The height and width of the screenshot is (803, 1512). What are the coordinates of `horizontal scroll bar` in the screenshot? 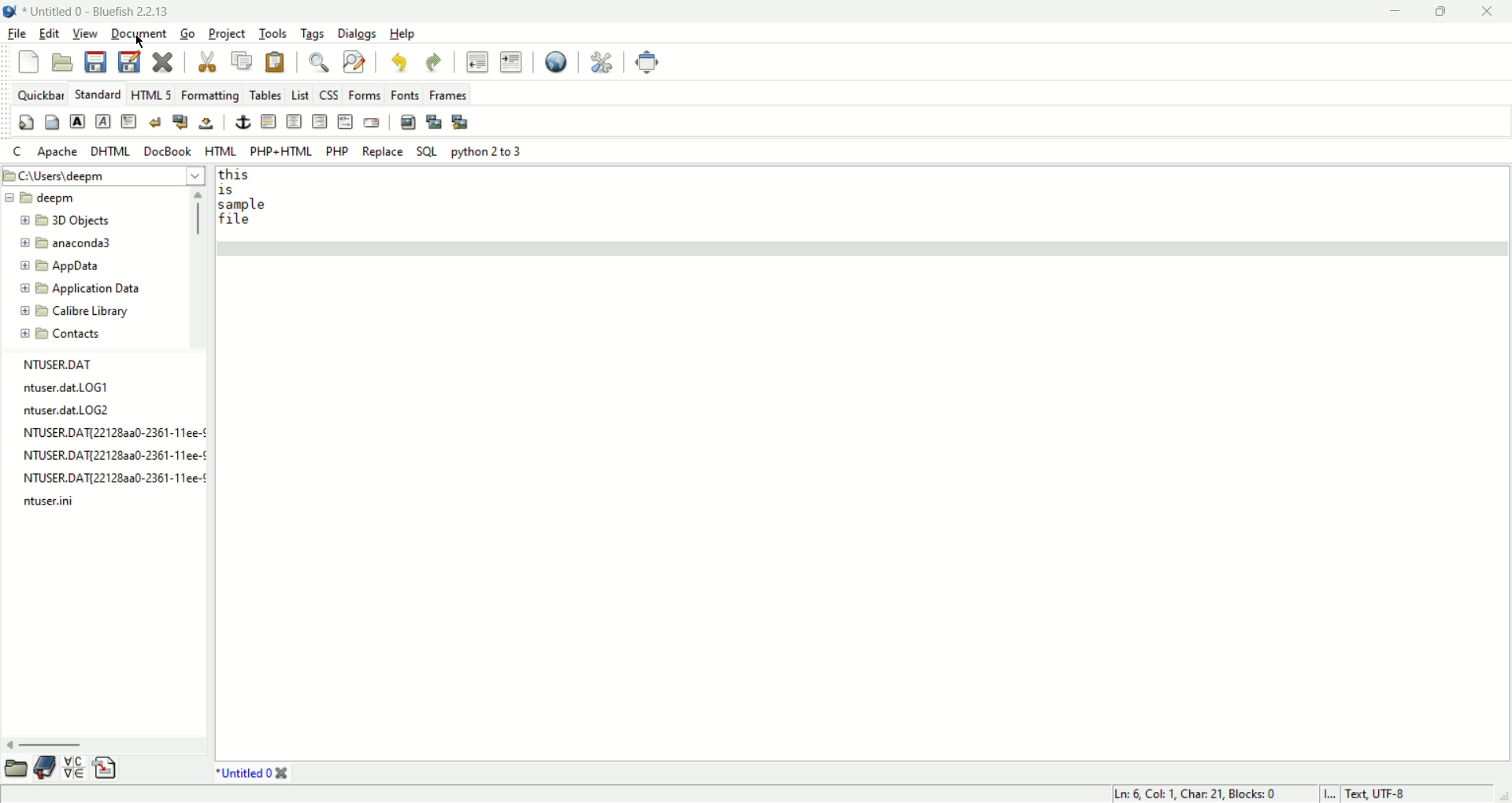 It's located at (101, 746).